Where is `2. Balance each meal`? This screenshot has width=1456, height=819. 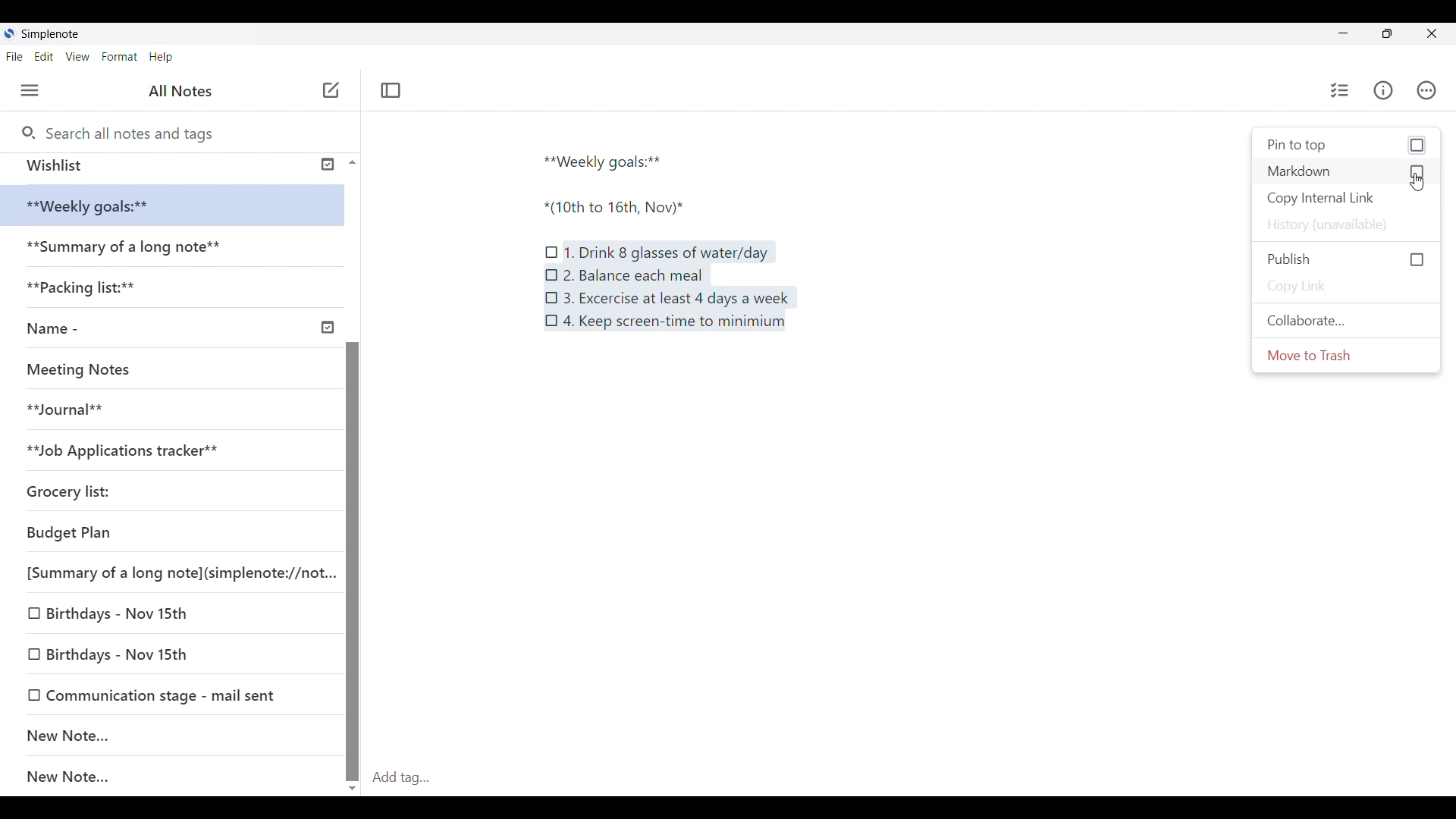
2. Balance each meal is located at coordinates (632, 275).